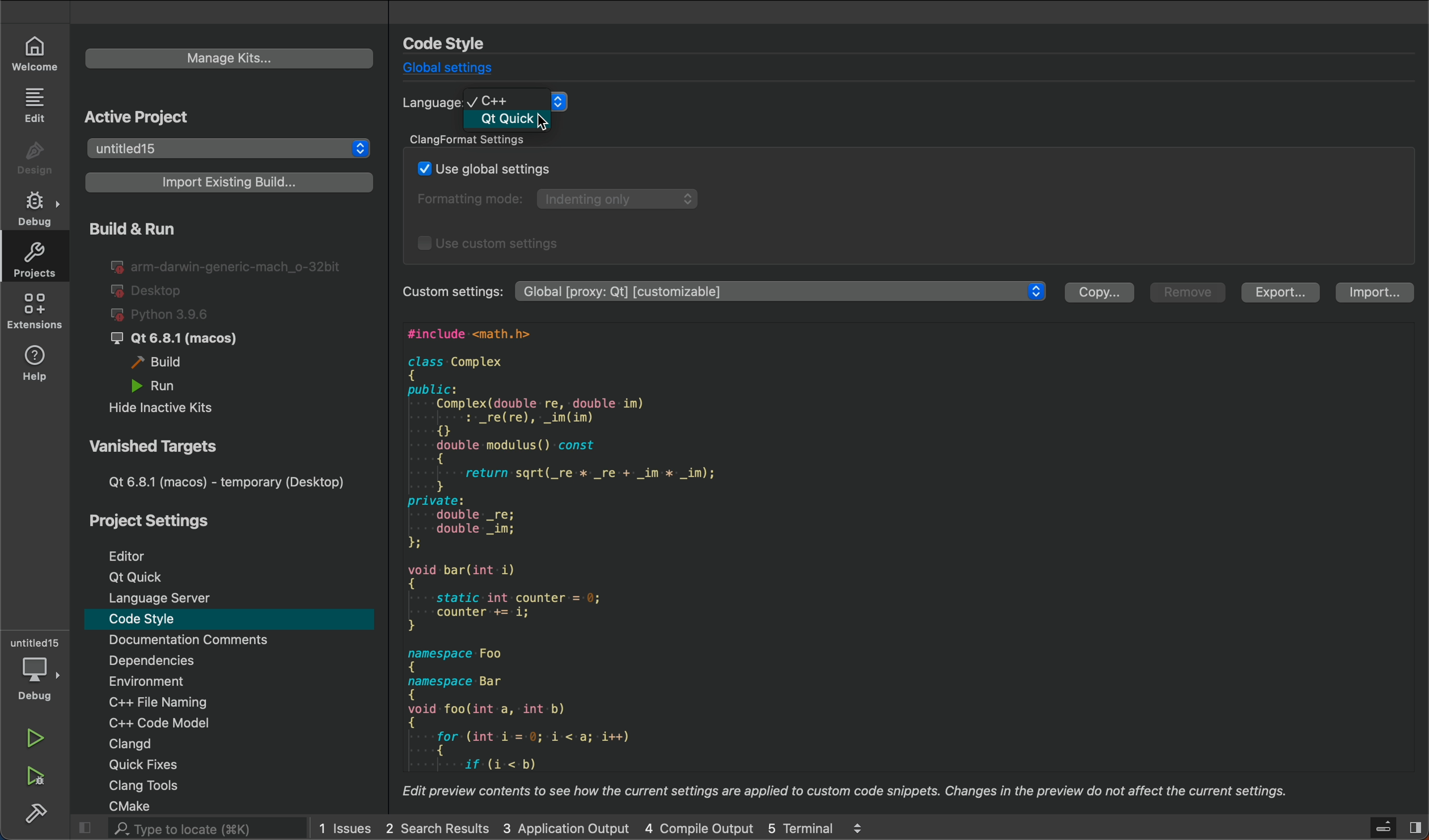 This screenshot has height=840, width=1429. What do you see at coordinates (430, 103) in the screenshot?
I see `language` at bounding box center [430, 103].